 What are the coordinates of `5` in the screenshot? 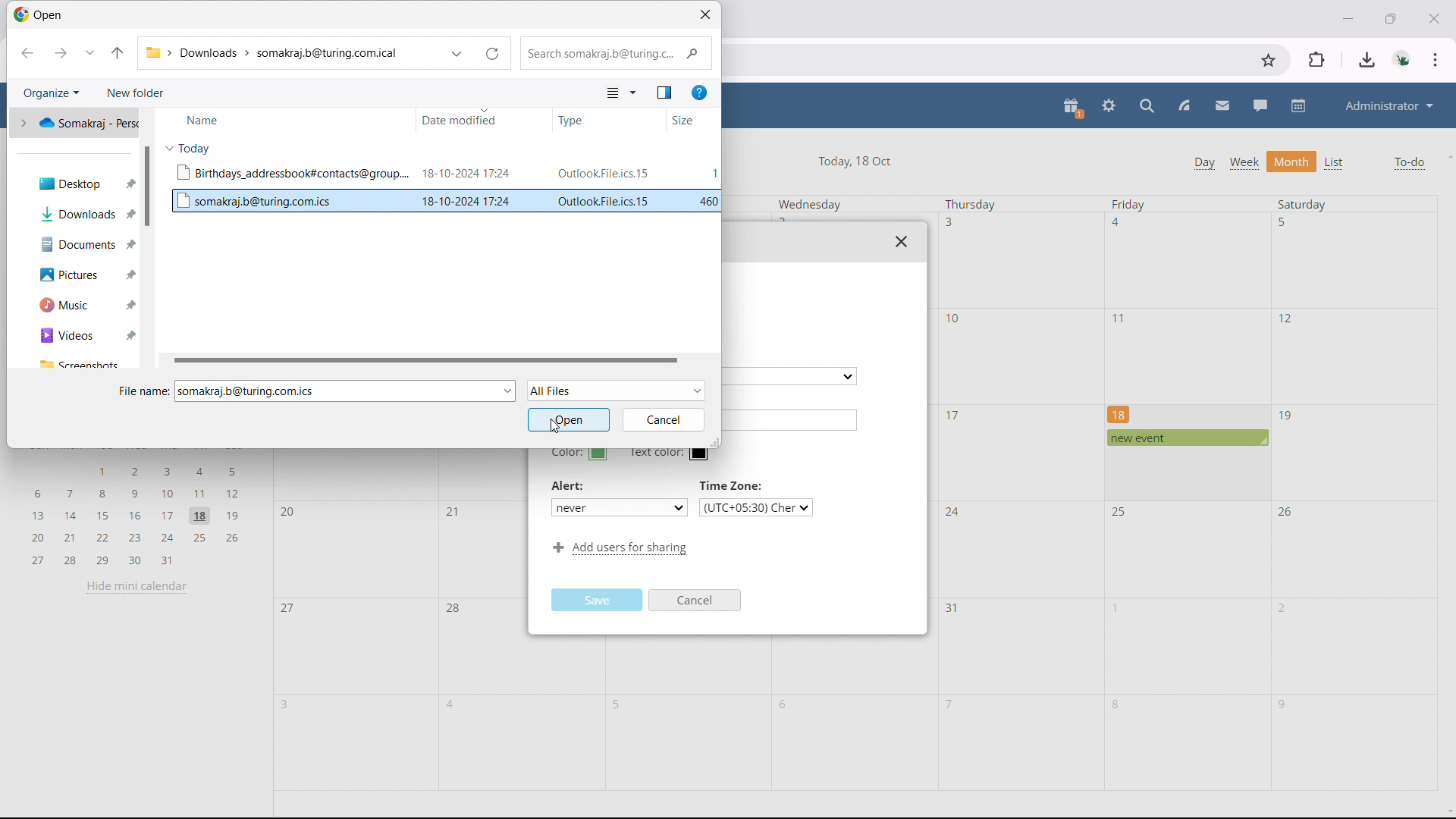 It's located at (620, 705).